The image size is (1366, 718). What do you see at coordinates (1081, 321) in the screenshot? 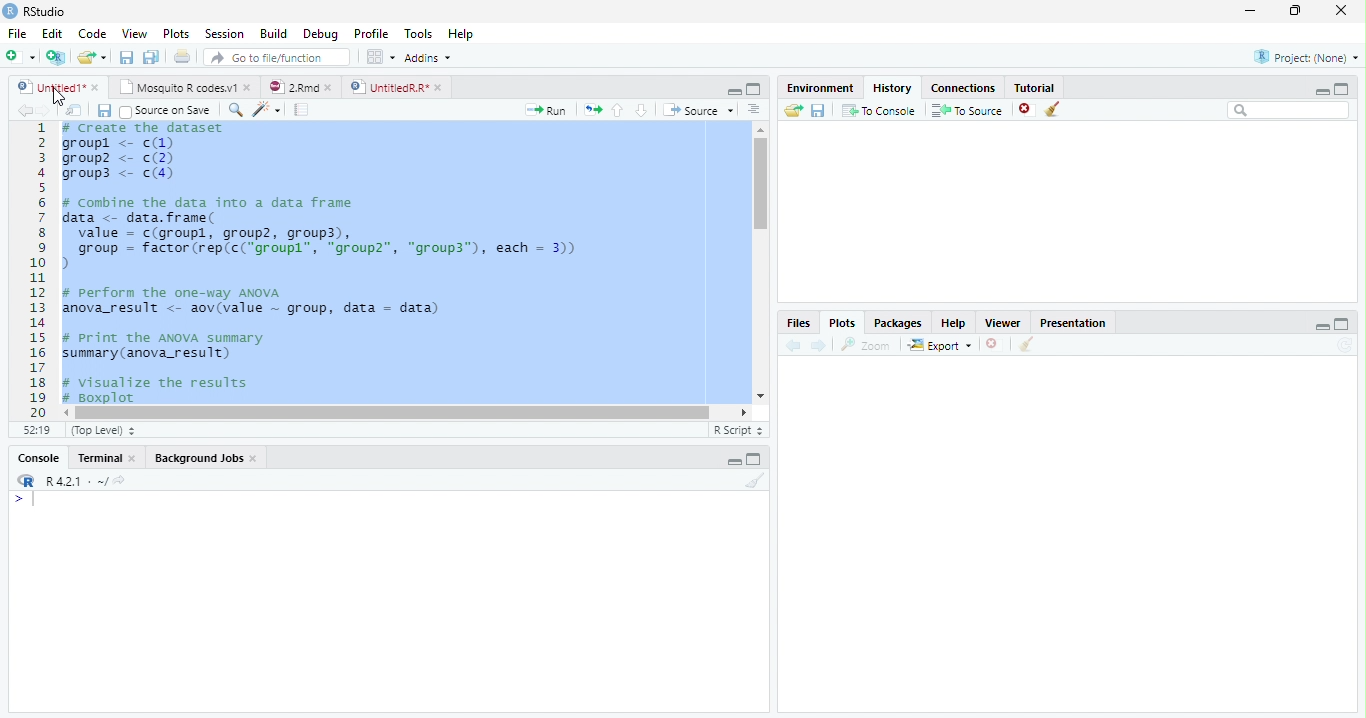
I see `Presentation` at bounding box center [1081, 321].